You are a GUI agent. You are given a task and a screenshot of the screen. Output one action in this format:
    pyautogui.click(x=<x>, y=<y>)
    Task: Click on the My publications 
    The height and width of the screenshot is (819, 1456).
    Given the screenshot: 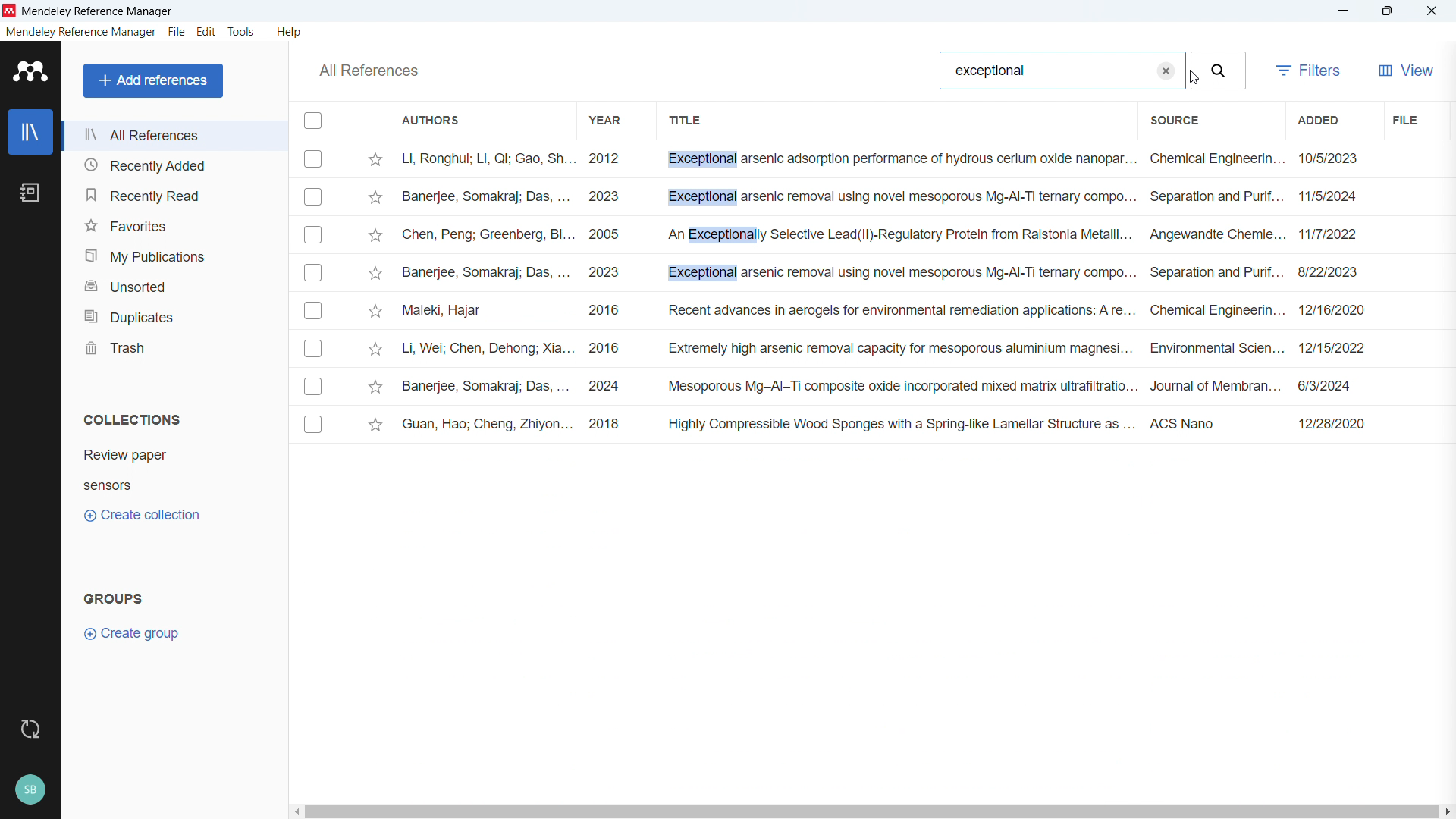 What is the action you would take?
    pyautogui.click(x=172, y=254)
    